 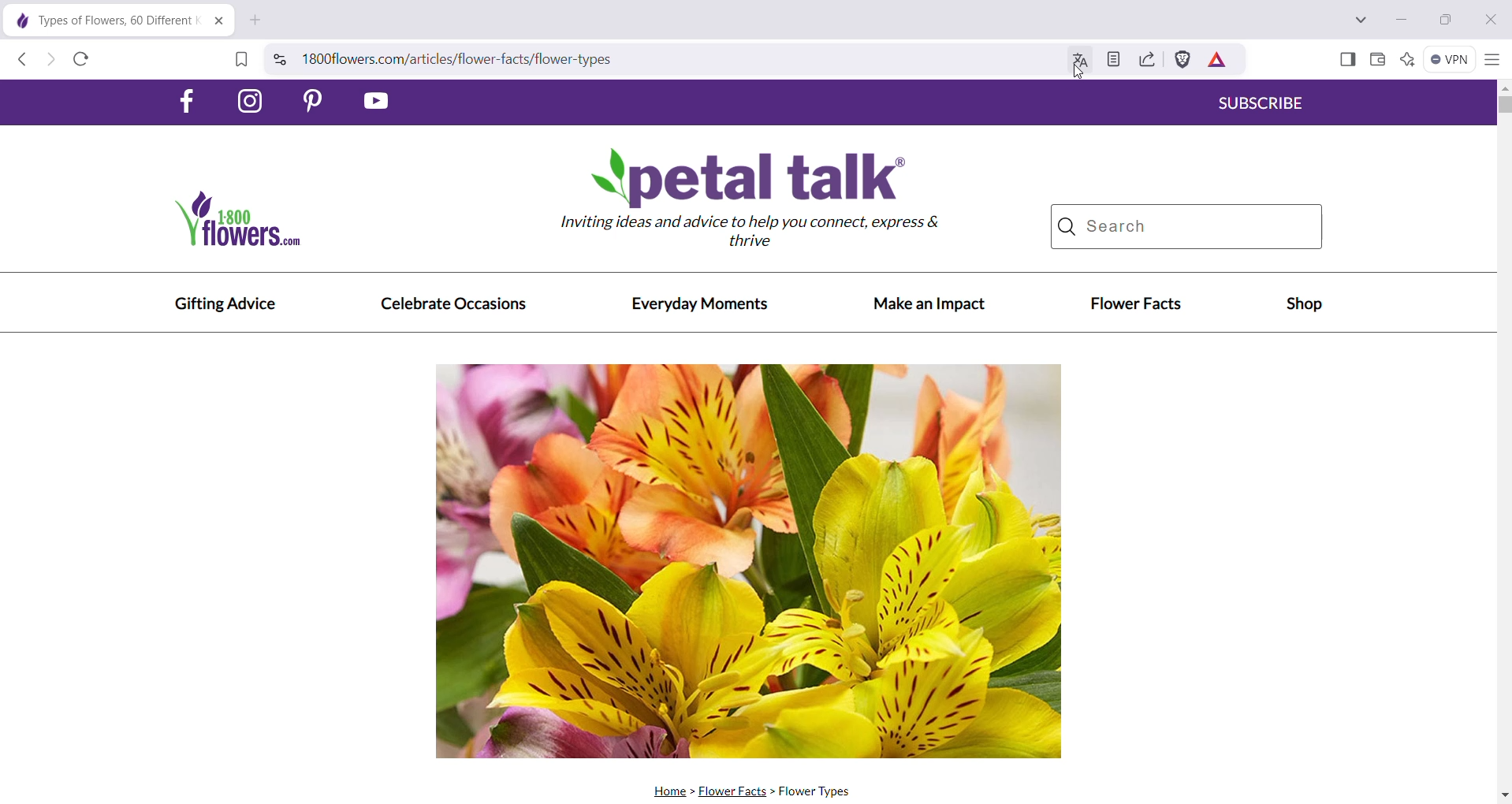 I want to click on Click to go back, hold to see history, so click(x=24, y=59).